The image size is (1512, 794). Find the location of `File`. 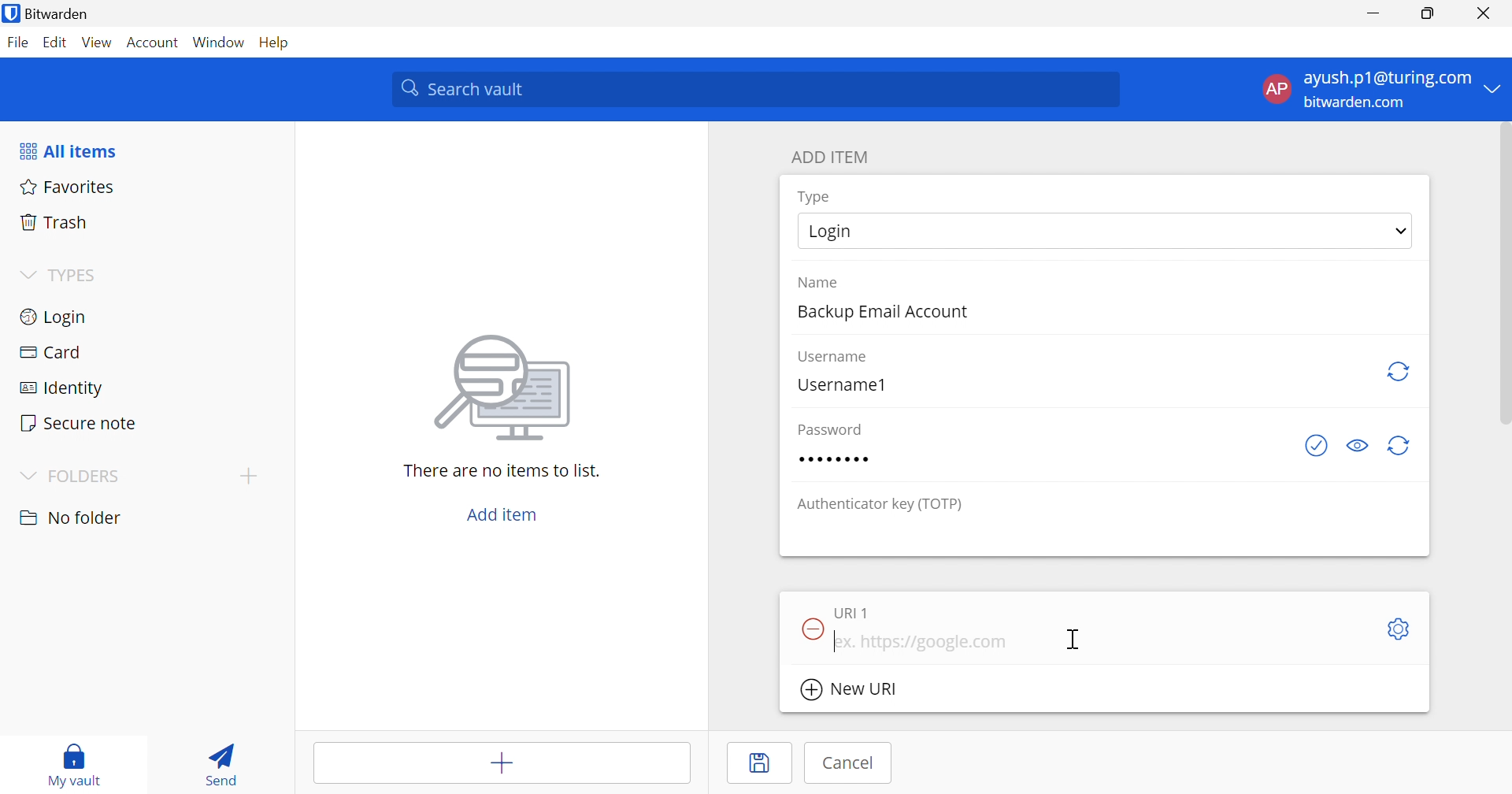

File is located at coordinates (17, 42).